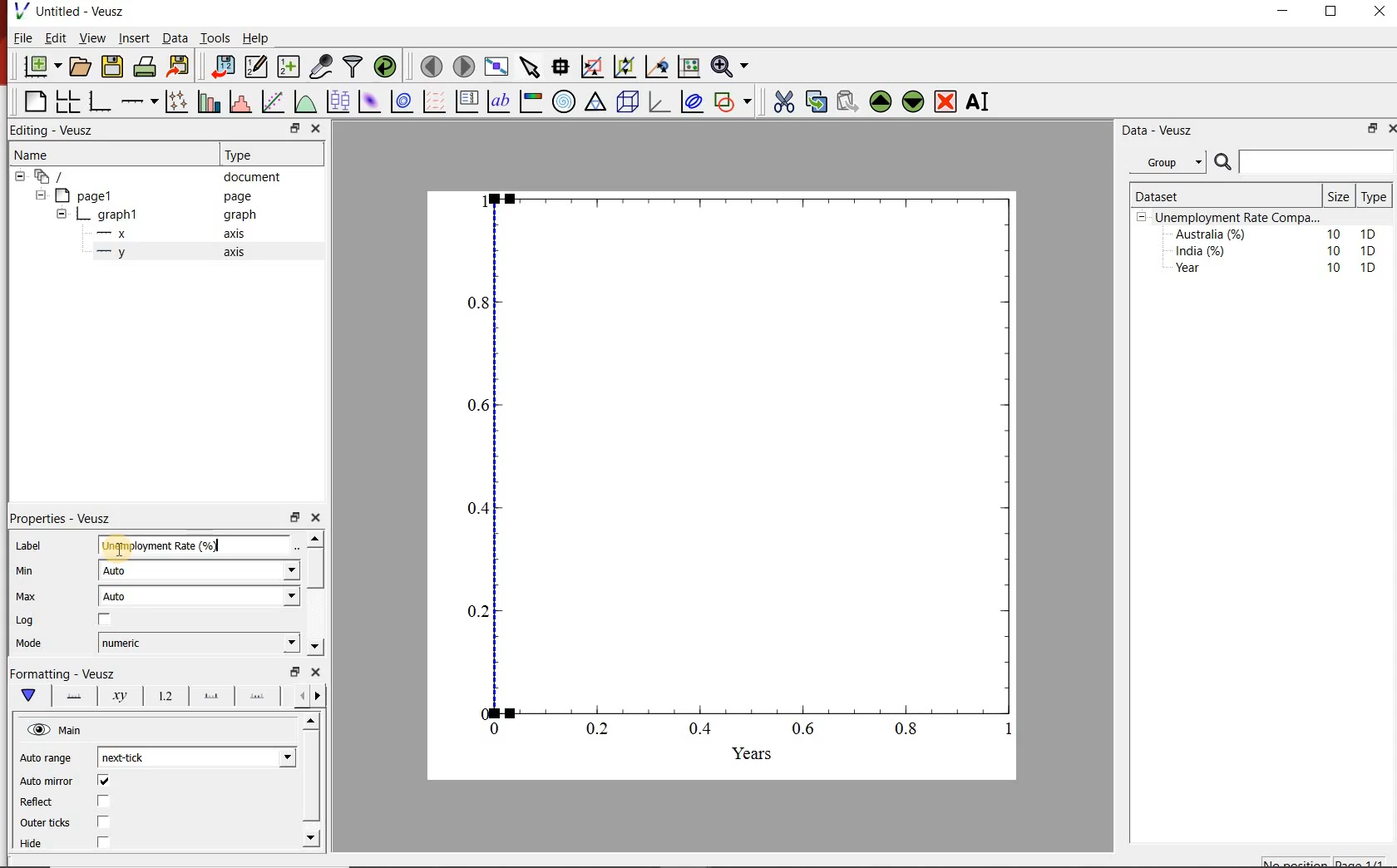 This screenshot has width=1397, height=868. What do you see at coordinates (693, 101) in the screenshot?
I see `plot covariance ellipses` at bounding box center [693, 101].